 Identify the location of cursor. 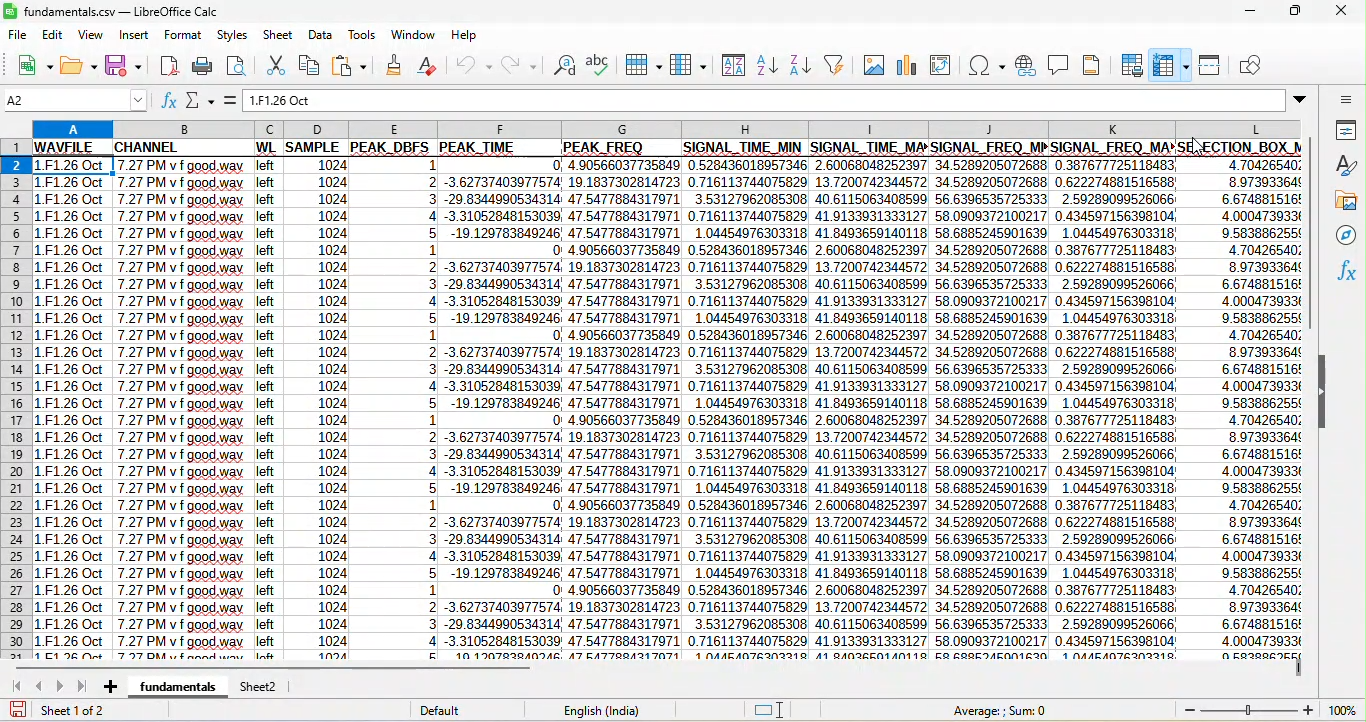
(783, 700).